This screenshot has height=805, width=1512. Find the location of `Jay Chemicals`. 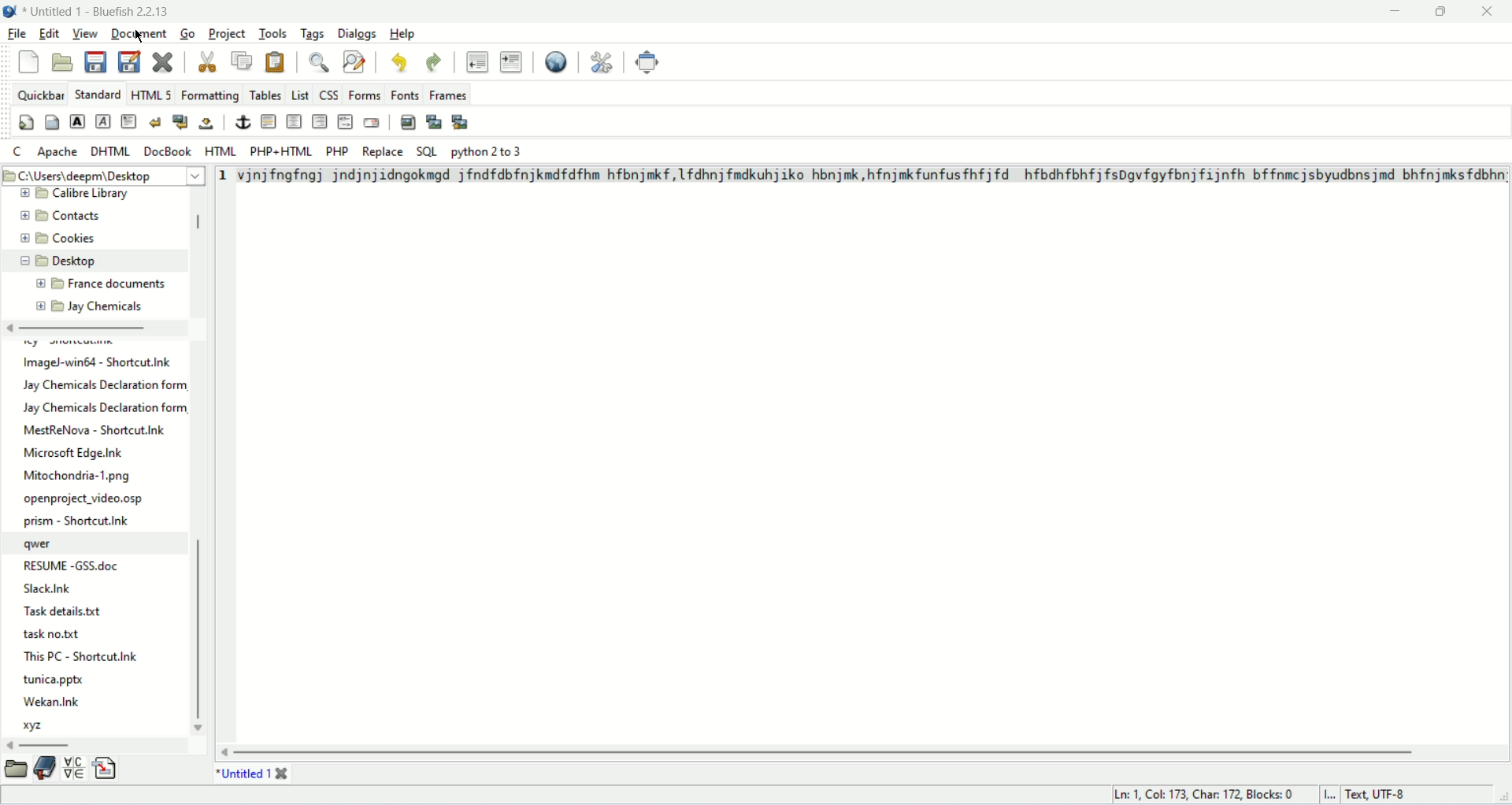

Jay Chemicals is located at coordinates (105, 306).